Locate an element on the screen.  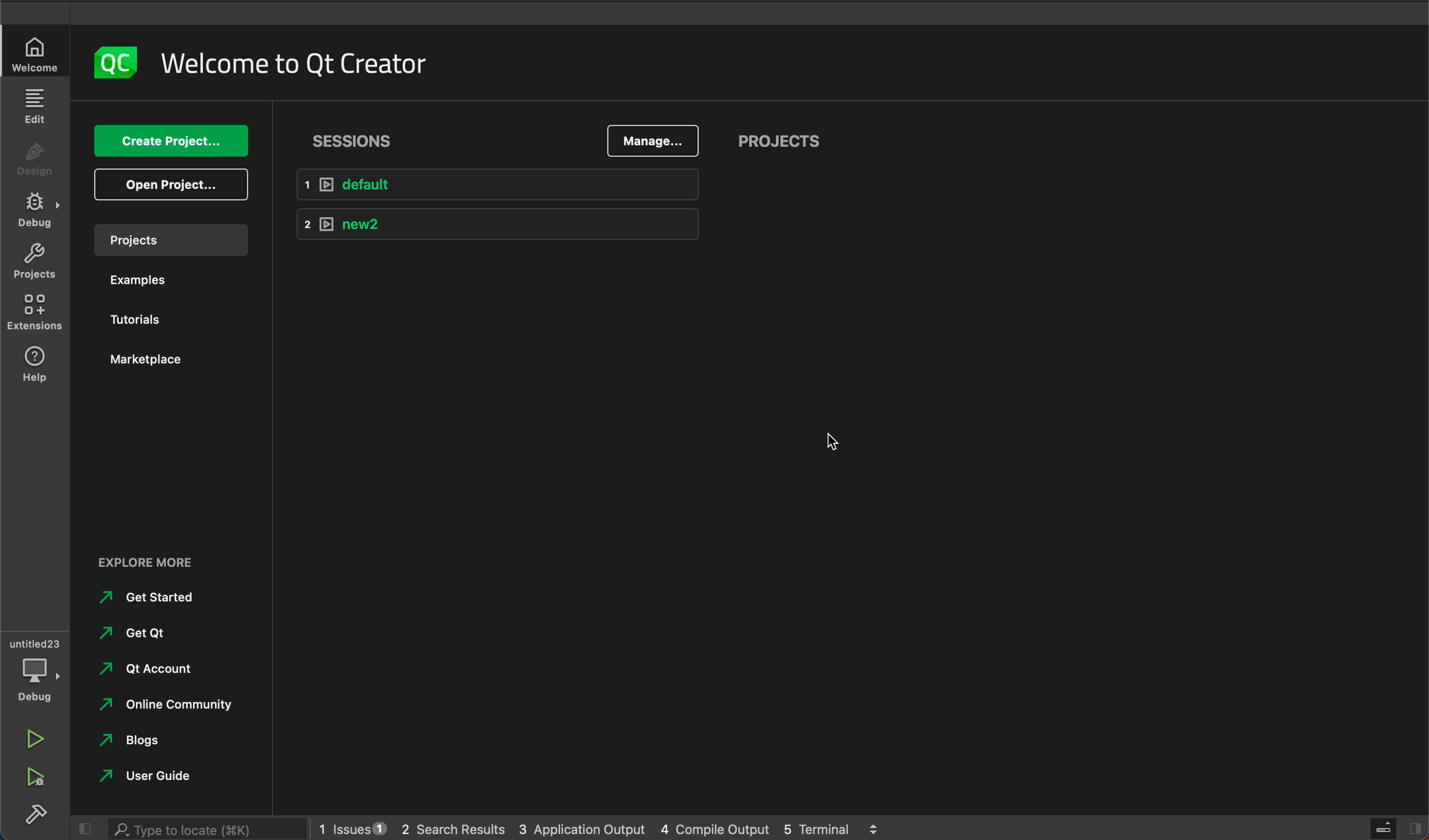
sessions is located at coordinates (358, 137).